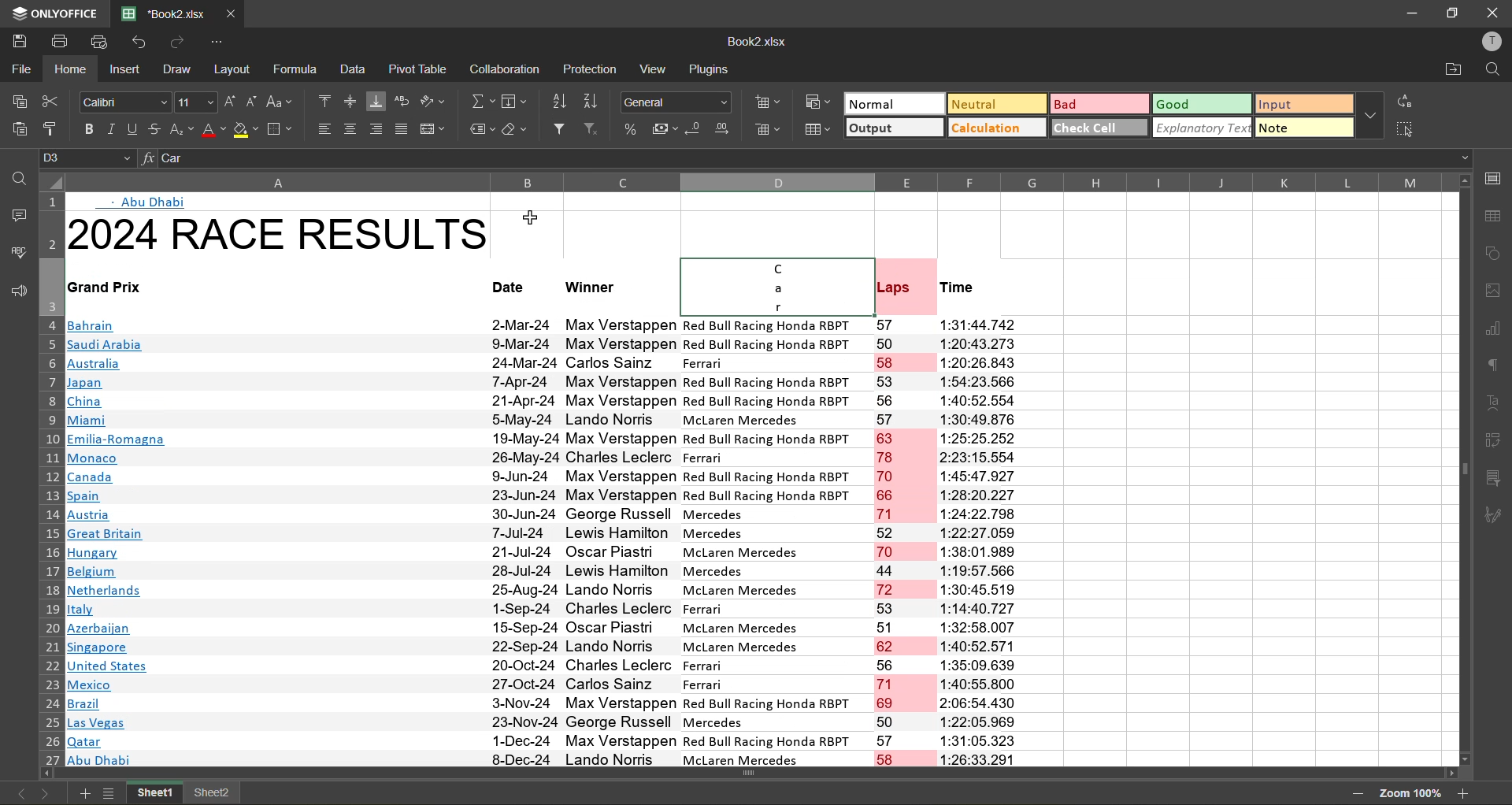 Image resolution: width=1512 pixels, height=805 pixels. Describe the element at coordinates (1494, 368) in the screenshot. I see `paragraph` at that location.